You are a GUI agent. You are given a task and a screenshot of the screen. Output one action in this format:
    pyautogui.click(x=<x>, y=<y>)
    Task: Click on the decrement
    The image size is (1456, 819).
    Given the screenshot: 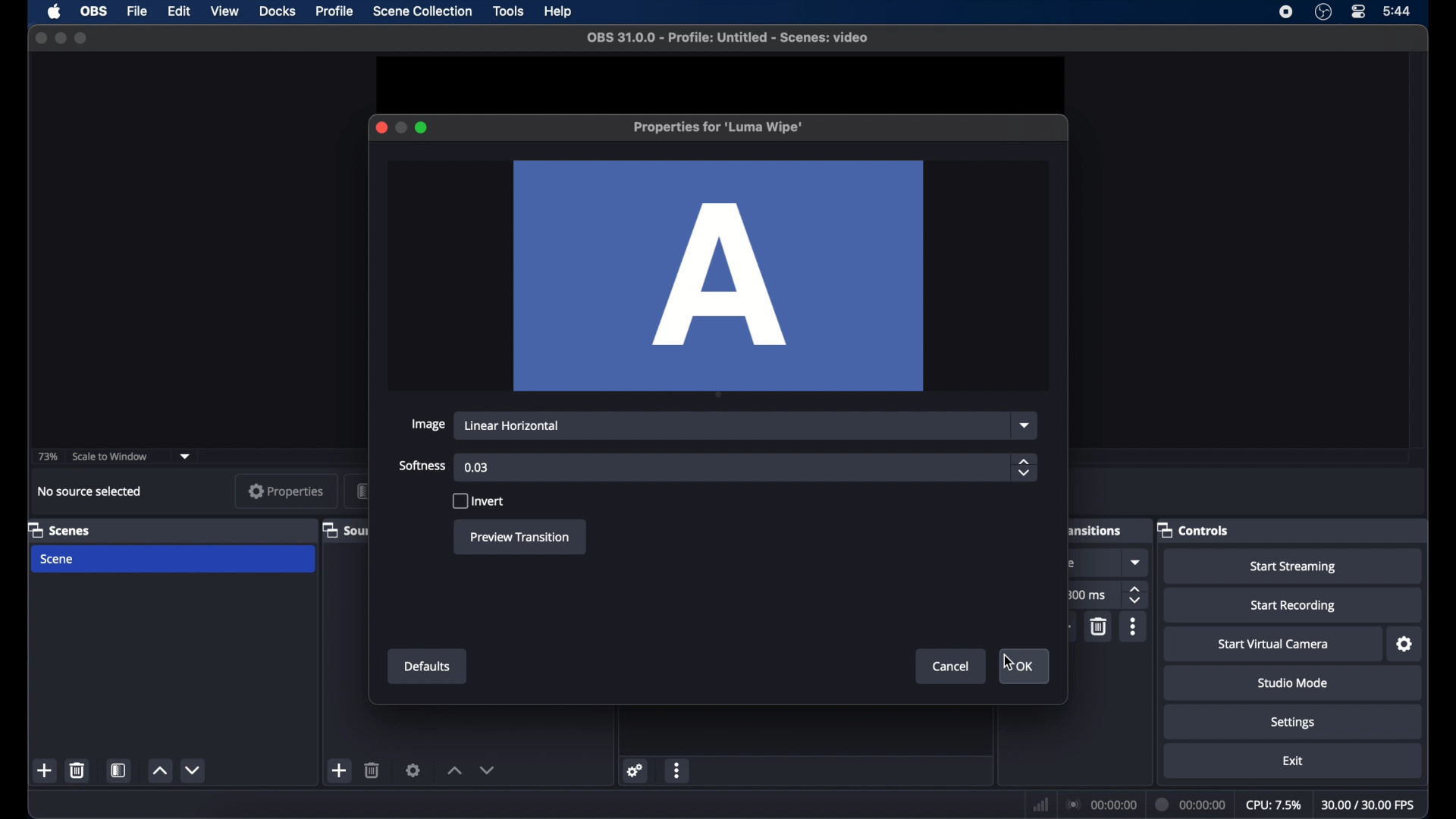 What is the action you would take?
    pyautogui.click(x=193, y=771)
    